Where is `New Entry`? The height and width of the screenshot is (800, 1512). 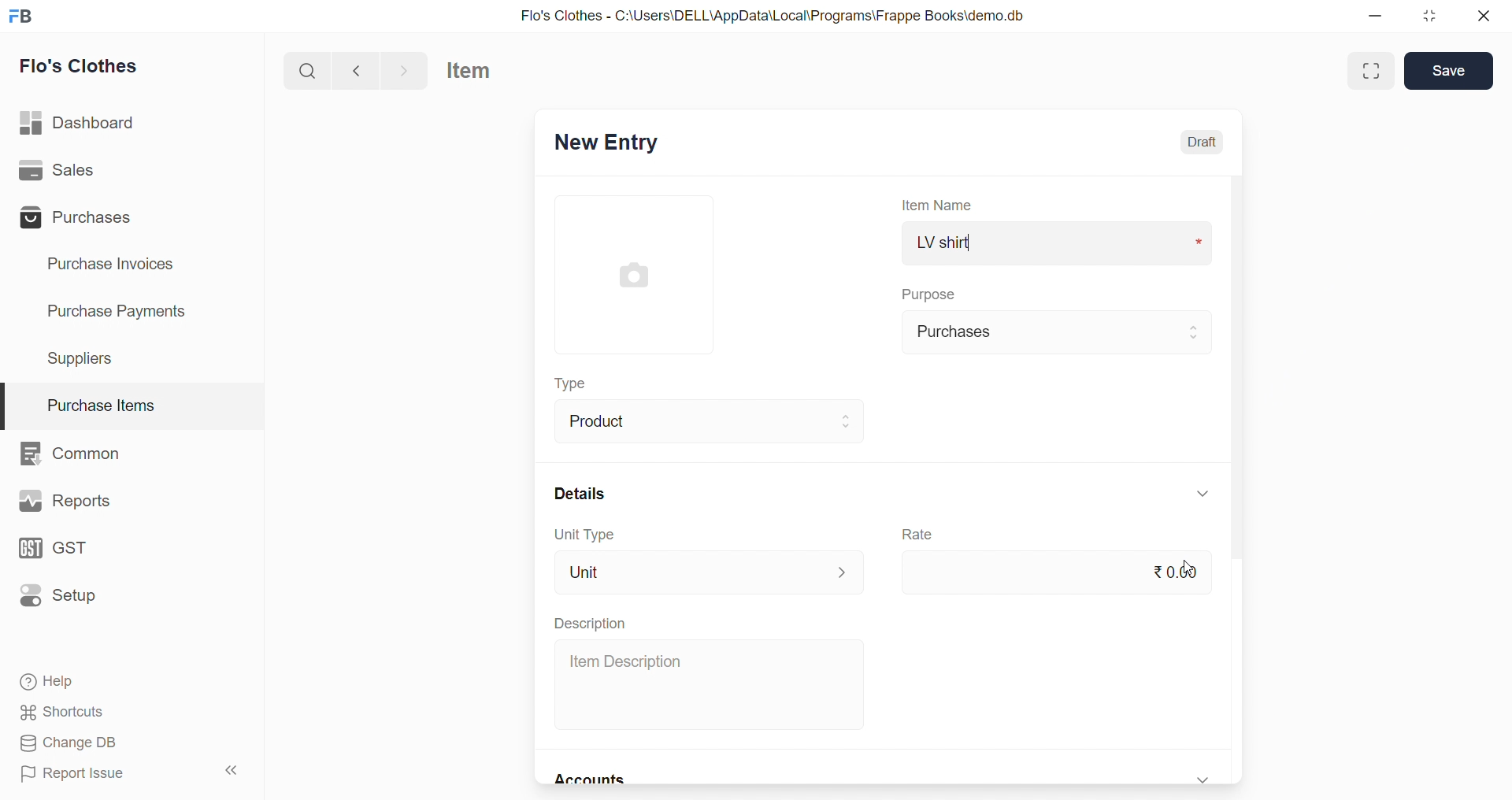 New Entry is located at coordinates (617, 144).